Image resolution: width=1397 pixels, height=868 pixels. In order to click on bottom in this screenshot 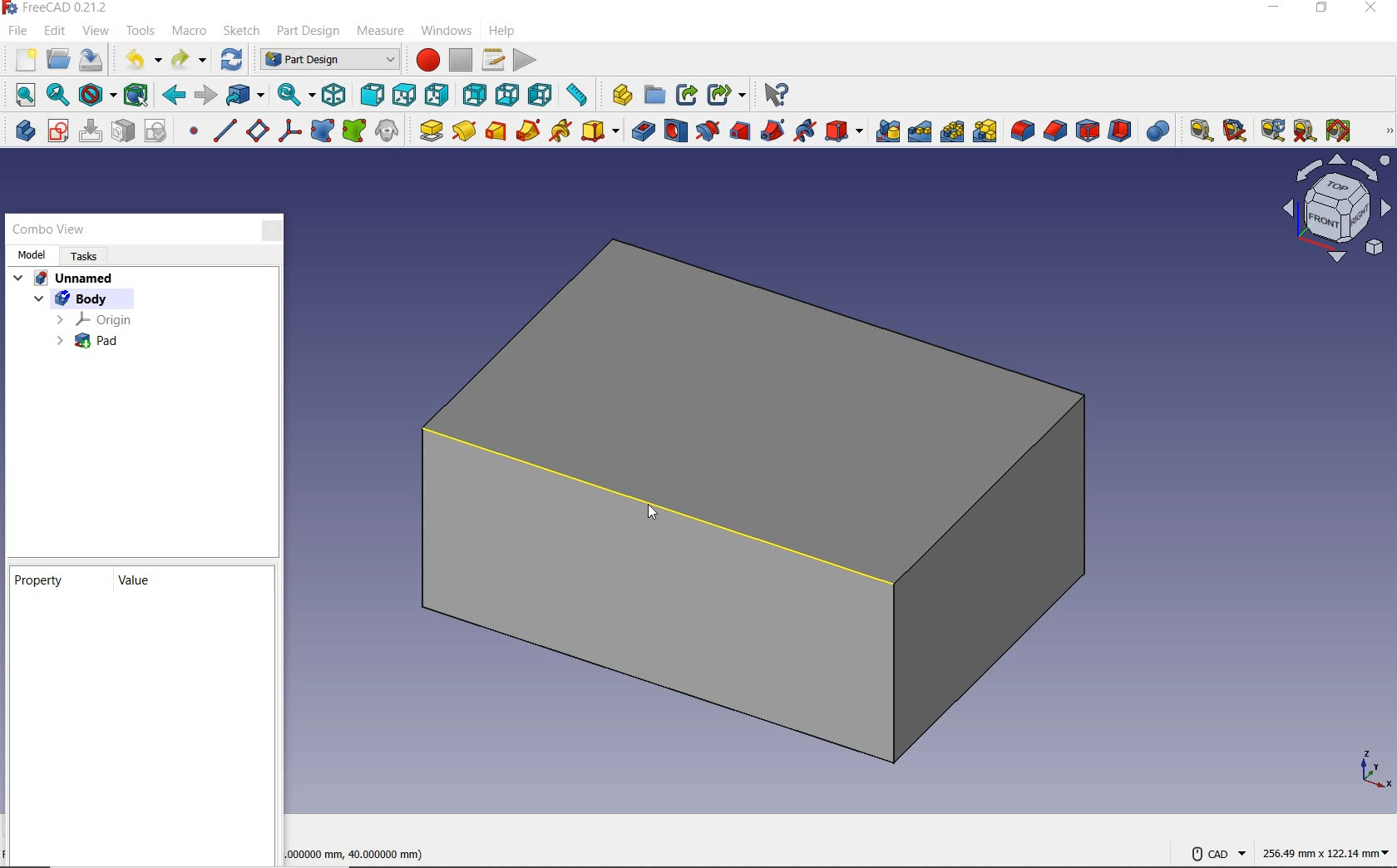, I will do `click(506, 95)`.